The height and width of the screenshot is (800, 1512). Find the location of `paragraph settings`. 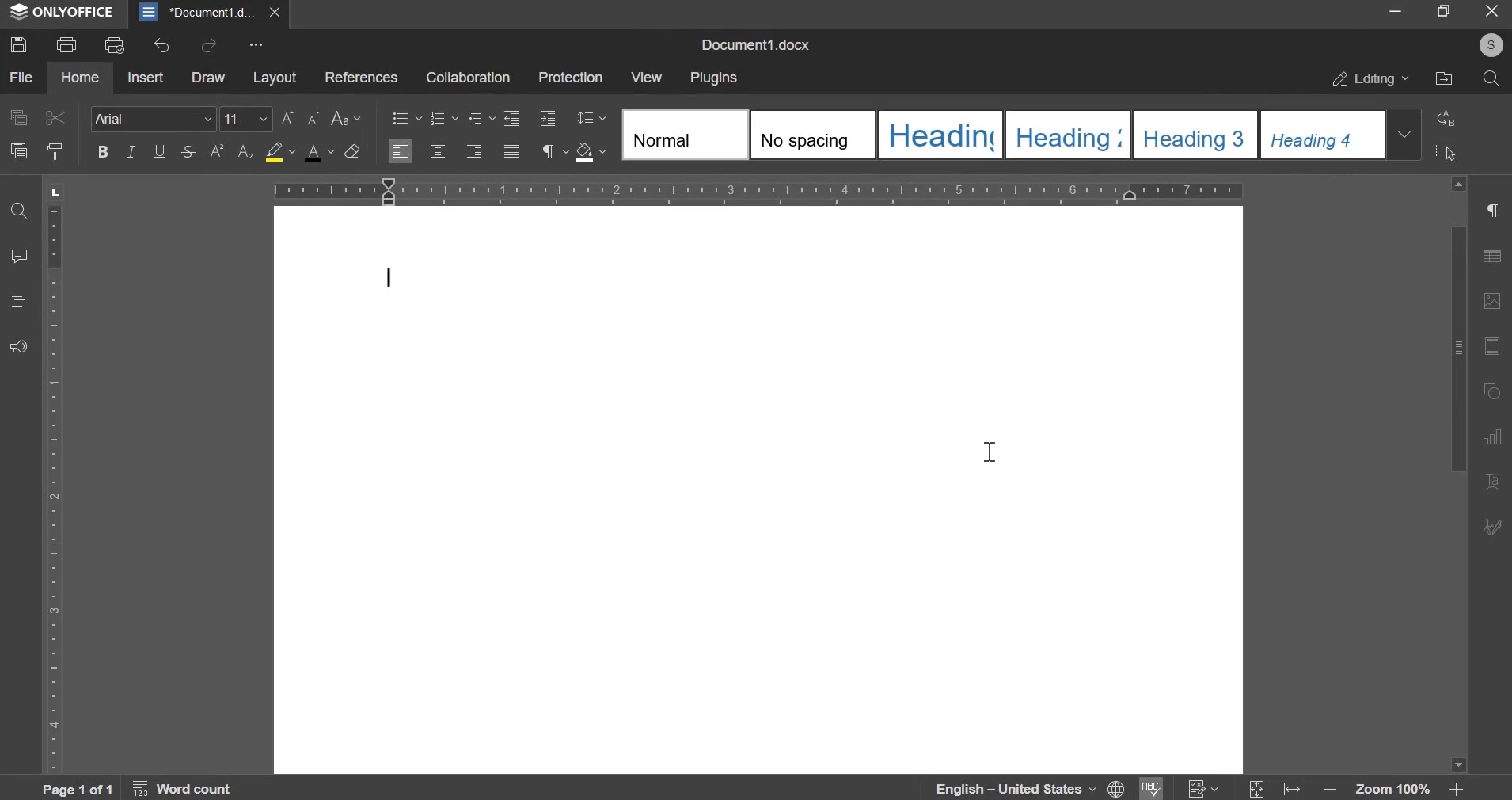

paragraph settings is located at coordinates (555, 153).